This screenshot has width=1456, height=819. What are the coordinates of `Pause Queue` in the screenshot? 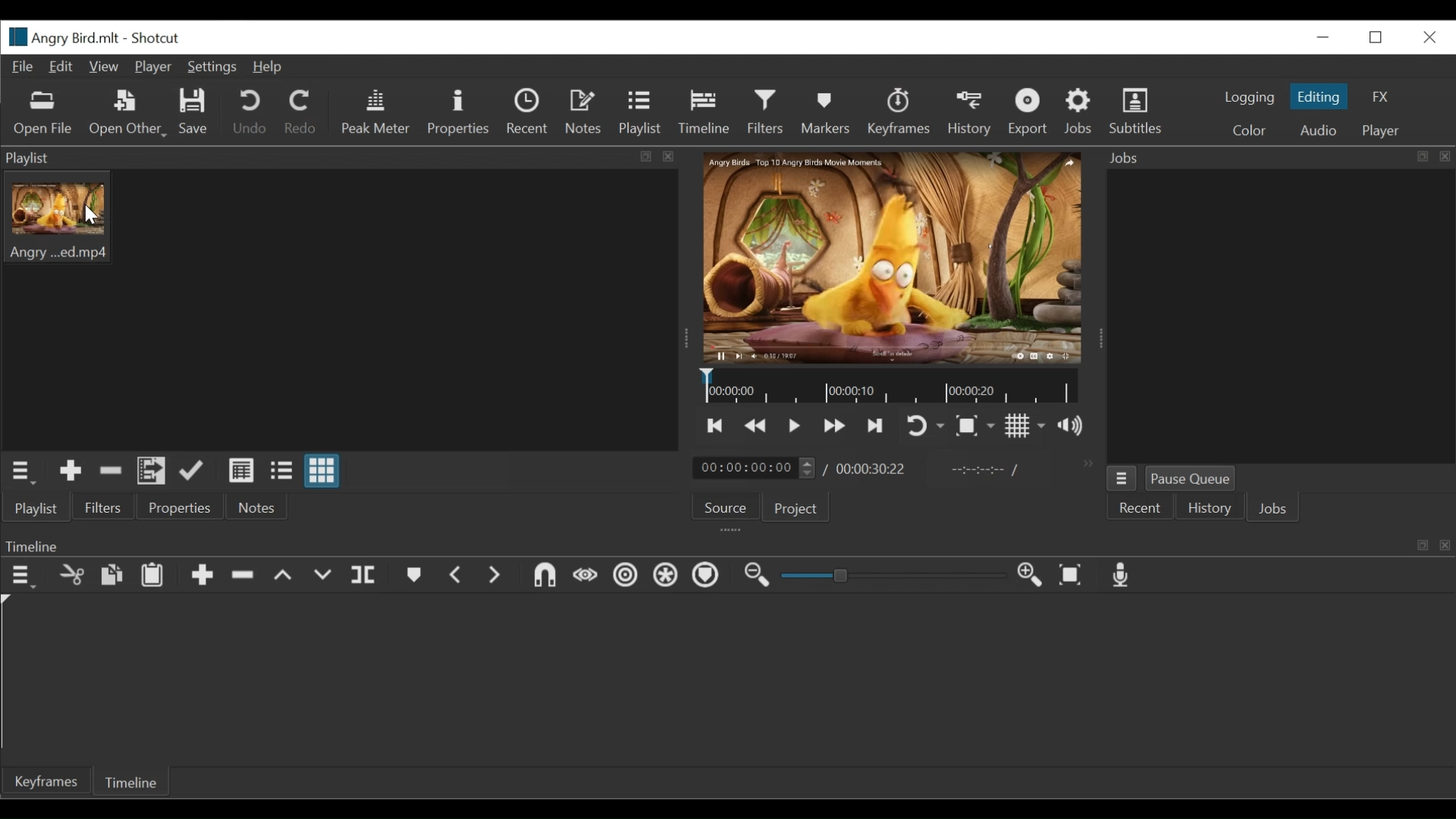 It's located at (1193, 479).